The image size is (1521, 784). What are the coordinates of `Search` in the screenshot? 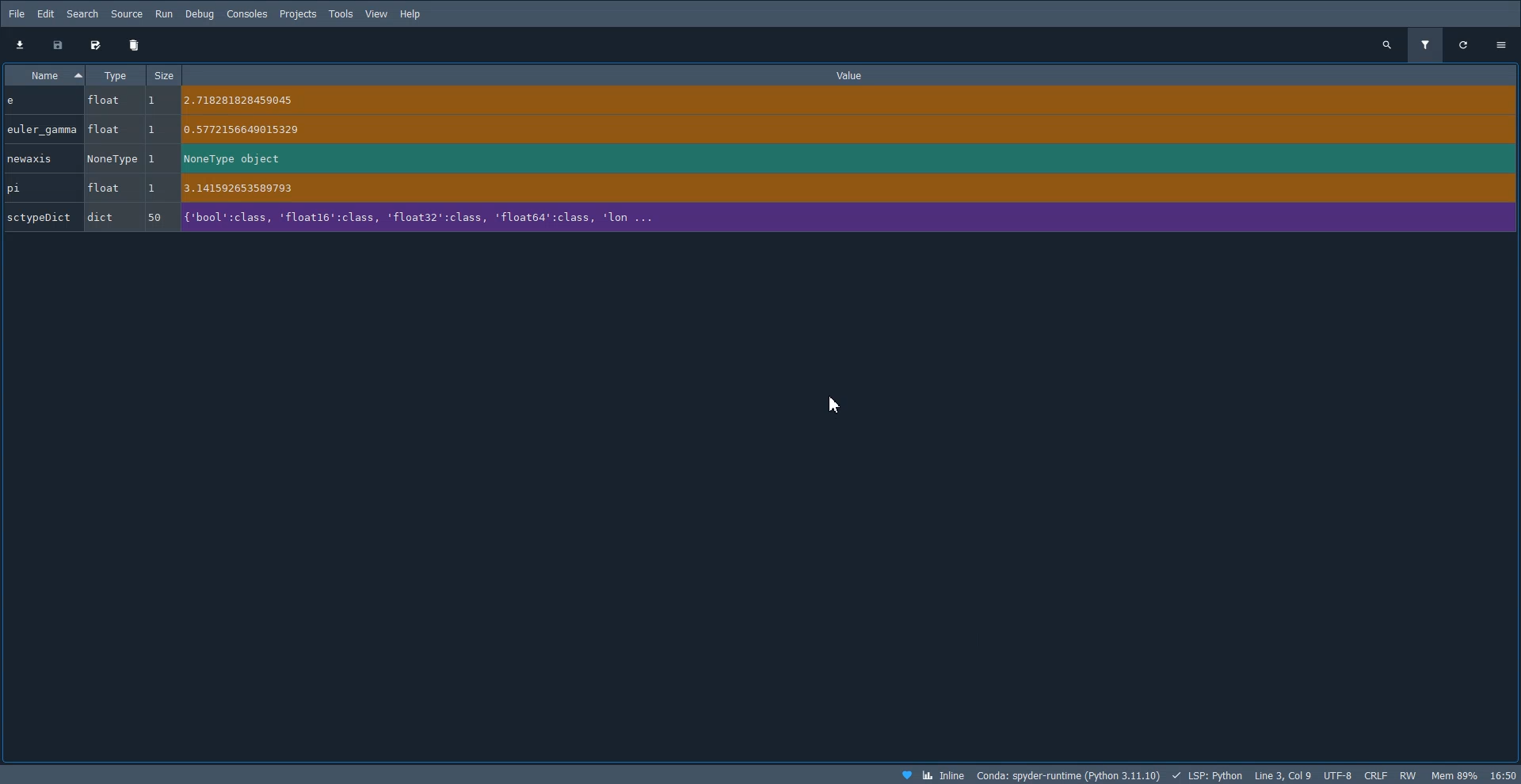 It's located at (1387, 44).